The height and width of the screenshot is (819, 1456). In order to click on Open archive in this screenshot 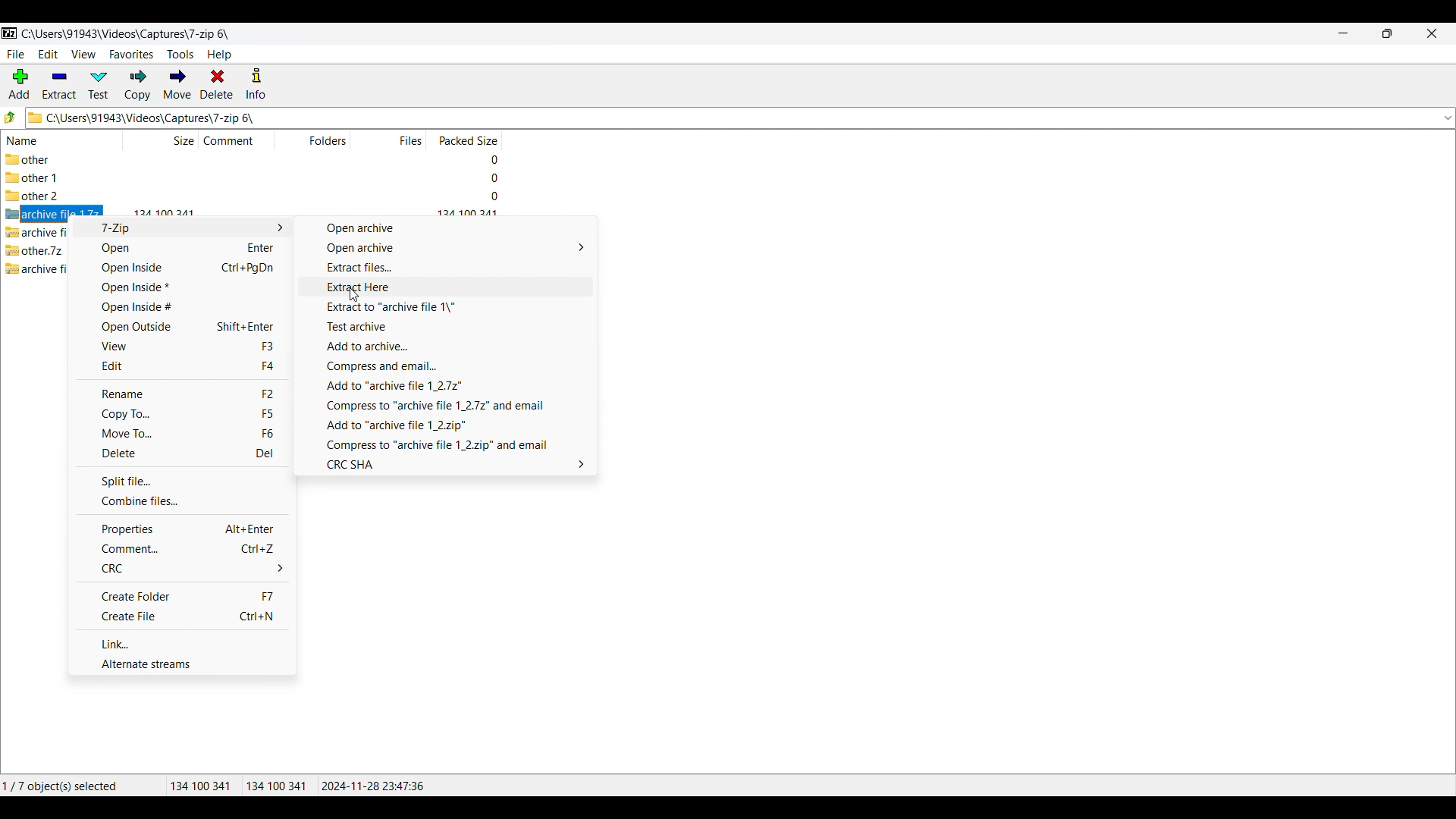, I will do `click(447, 248)`.